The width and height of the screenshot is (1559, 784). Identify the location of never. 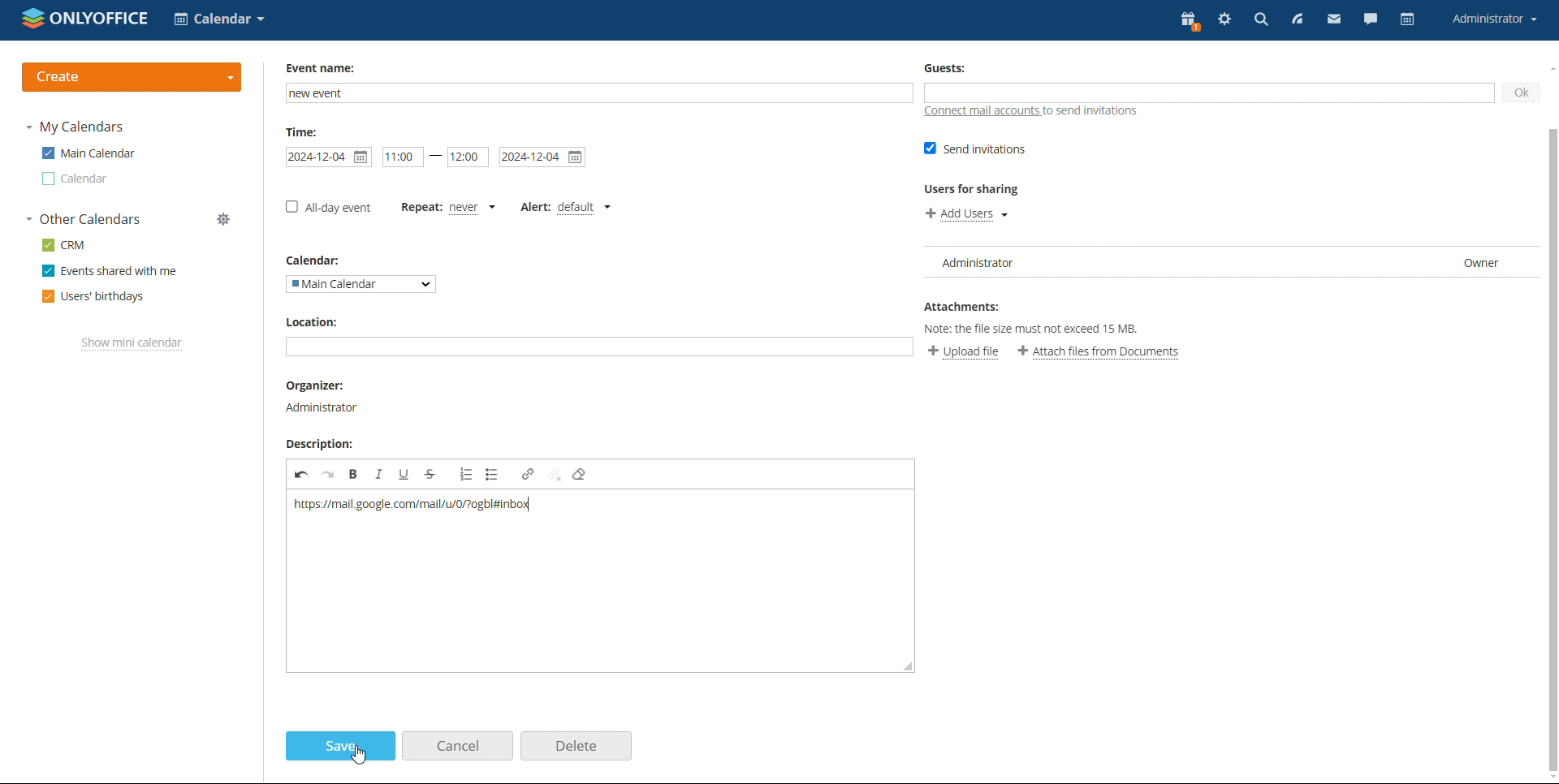
(473, 209).